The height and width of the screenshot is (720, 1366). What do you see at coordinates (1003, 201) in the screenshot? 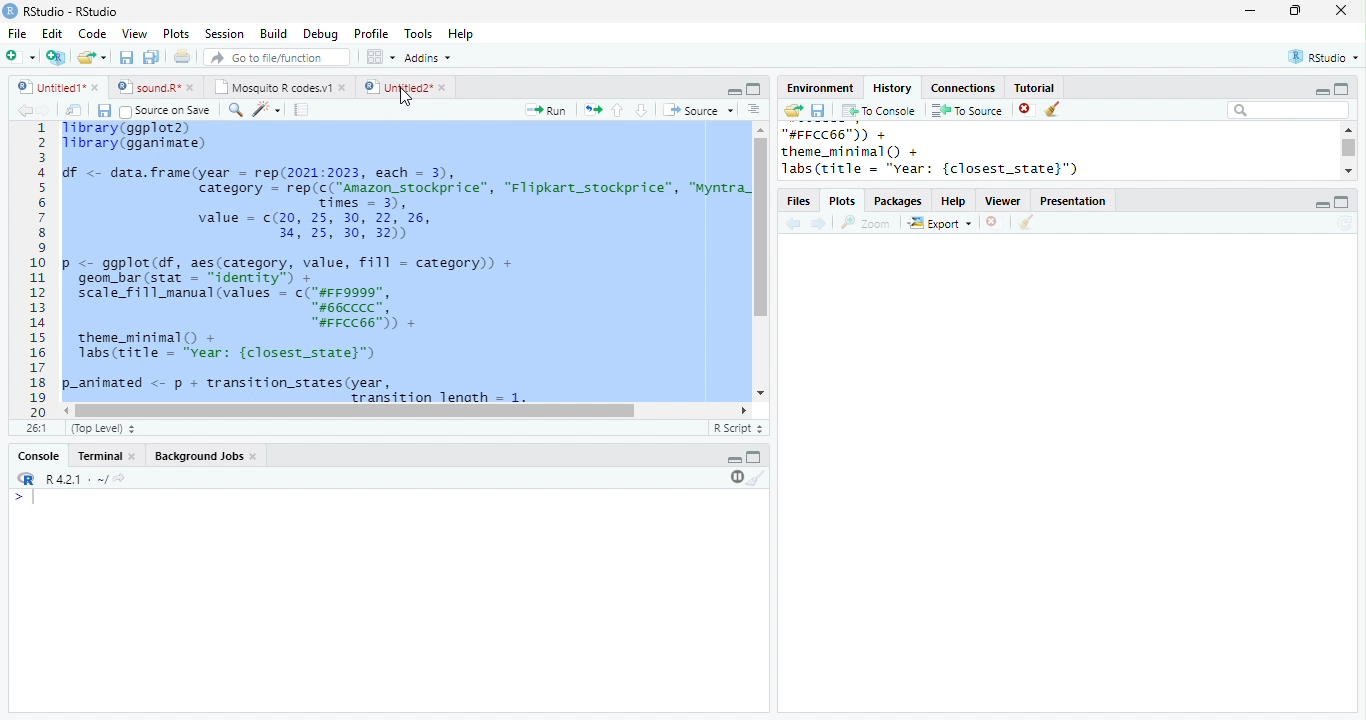
I see `Viewer` at bounding box center [1003, 201].